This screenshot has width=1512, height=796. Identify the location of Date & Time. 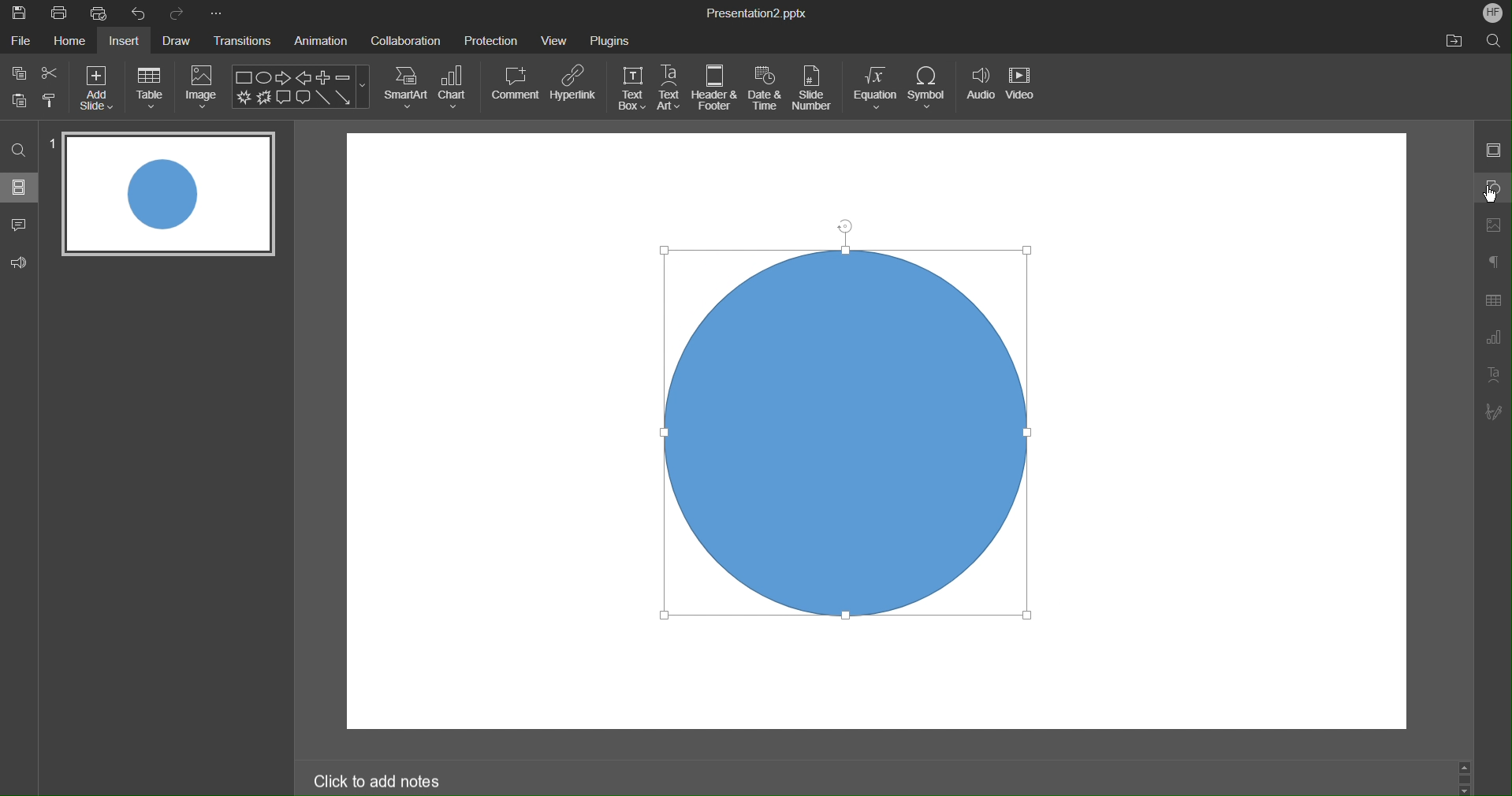
(765, 88).